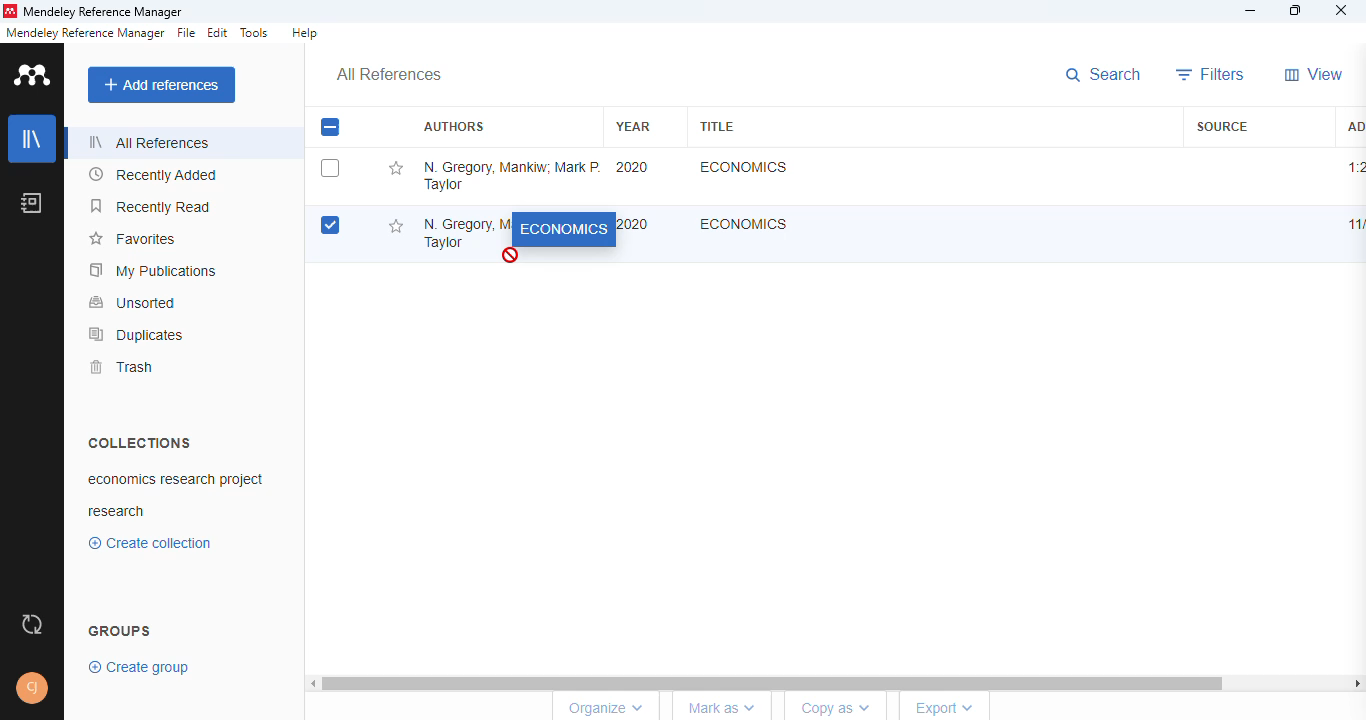  Describe the element at coordinates (131, 239) in the screenshot. I see `favorites` at that location.